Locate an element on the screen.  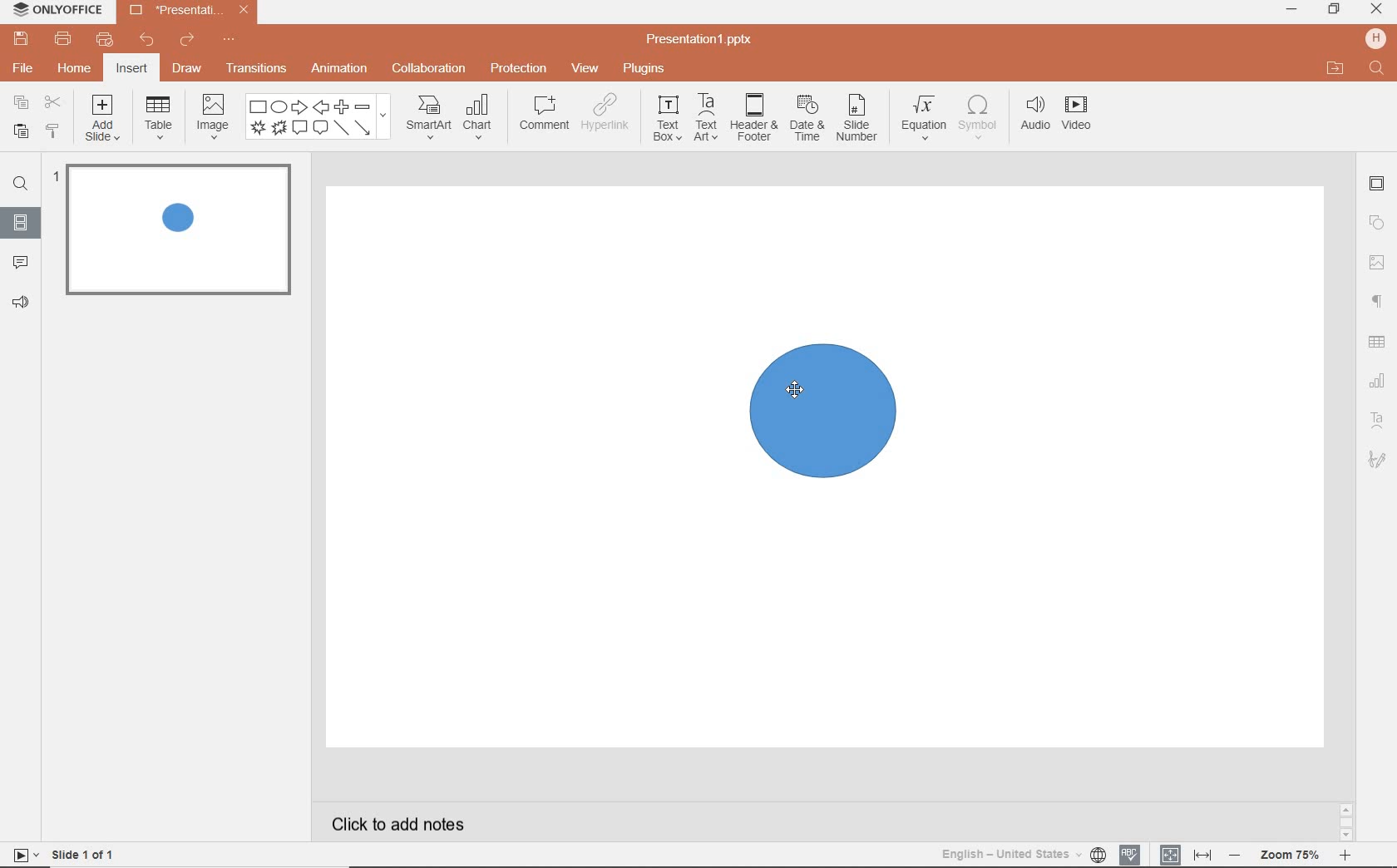
hyperlink is located at coordinates (607, 116).